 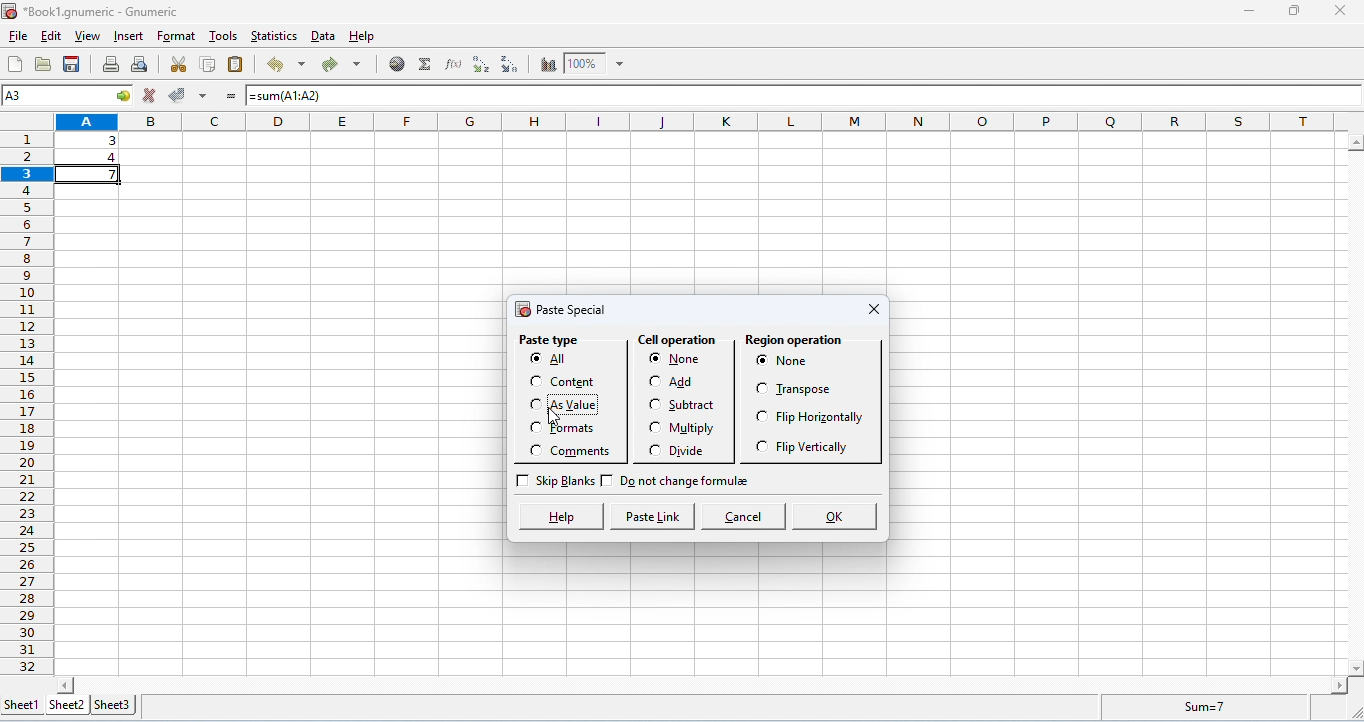 What do you see at coordinates (396, 65) in the screenshot?
I see `insert hyperlink` at bounding box center [396, 65].